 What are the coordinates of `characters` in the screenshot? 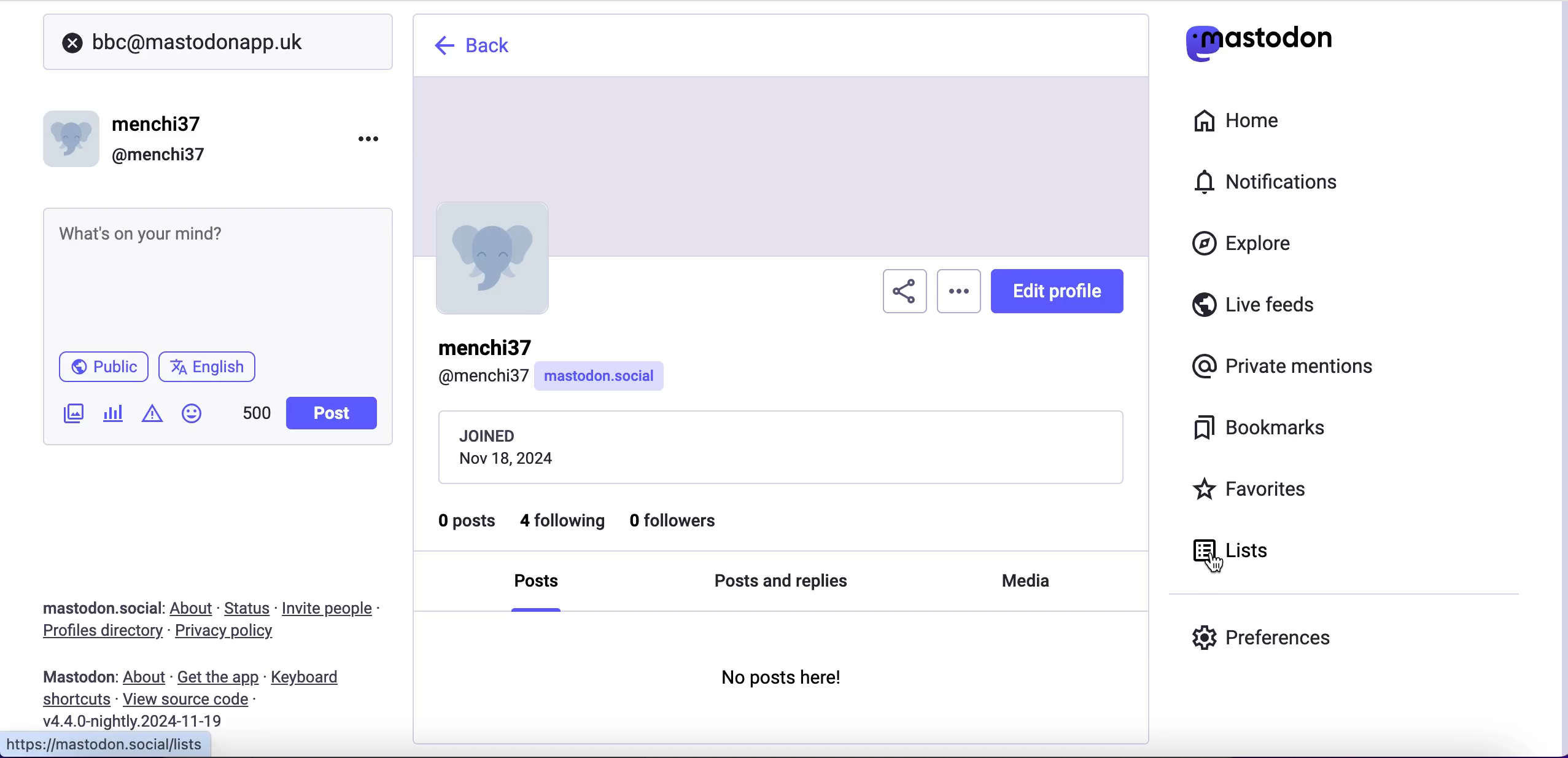 It's located at (257, 415).